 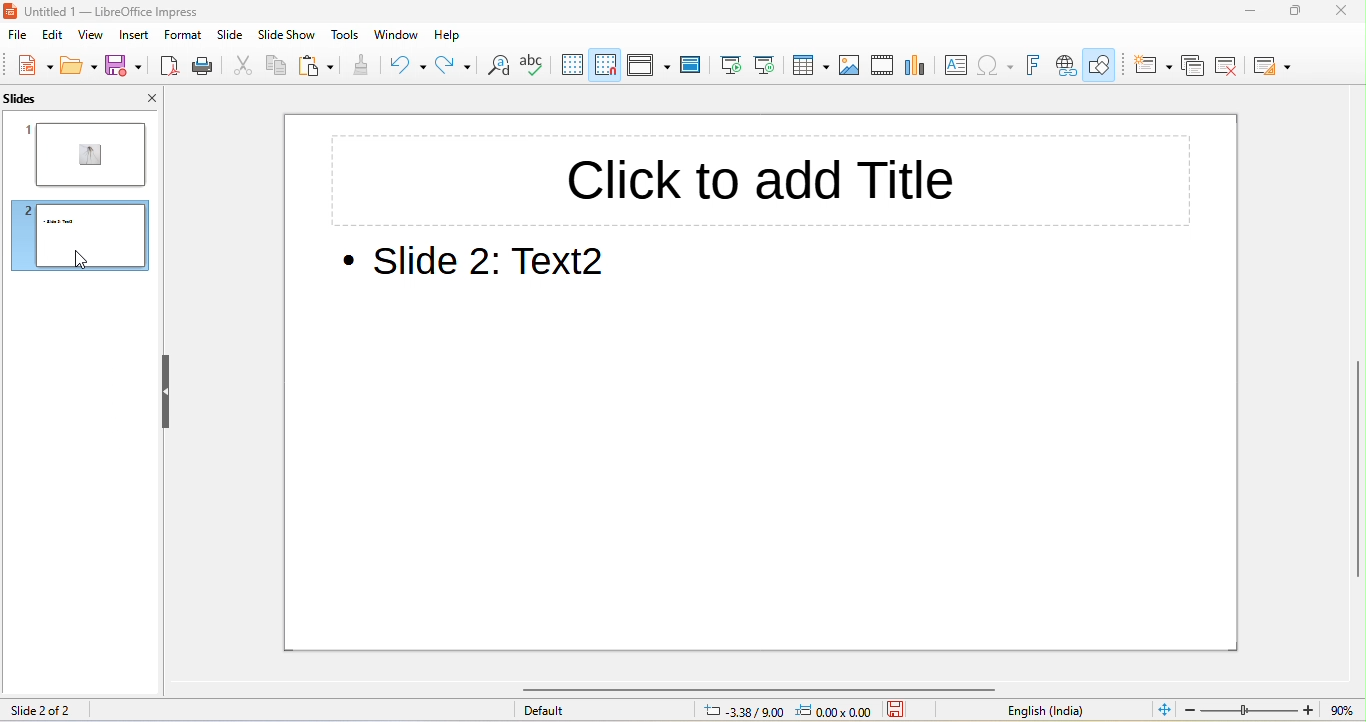 What do you see at coordinates (1035, 65) in the screenshot?
I see `fontwork text` at bounding box center [1035, 65].